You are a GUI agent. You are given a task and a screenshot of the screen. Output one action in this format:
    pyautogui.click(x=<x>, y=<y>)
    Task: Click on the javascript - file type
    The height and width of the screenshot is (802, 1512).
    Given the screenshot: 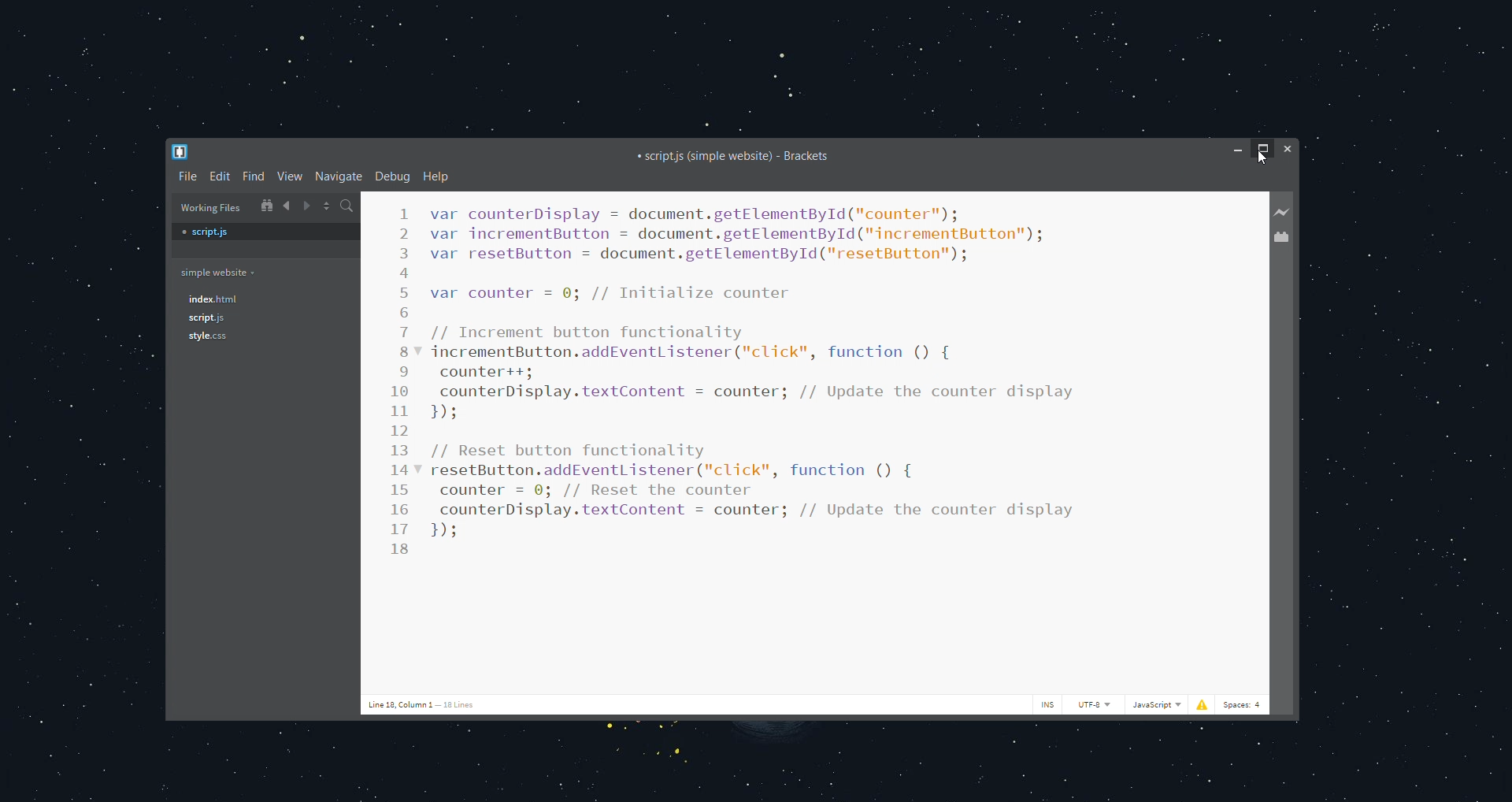 What is the action you would take?
    pyautogui.click(x=1158, y=704)
    